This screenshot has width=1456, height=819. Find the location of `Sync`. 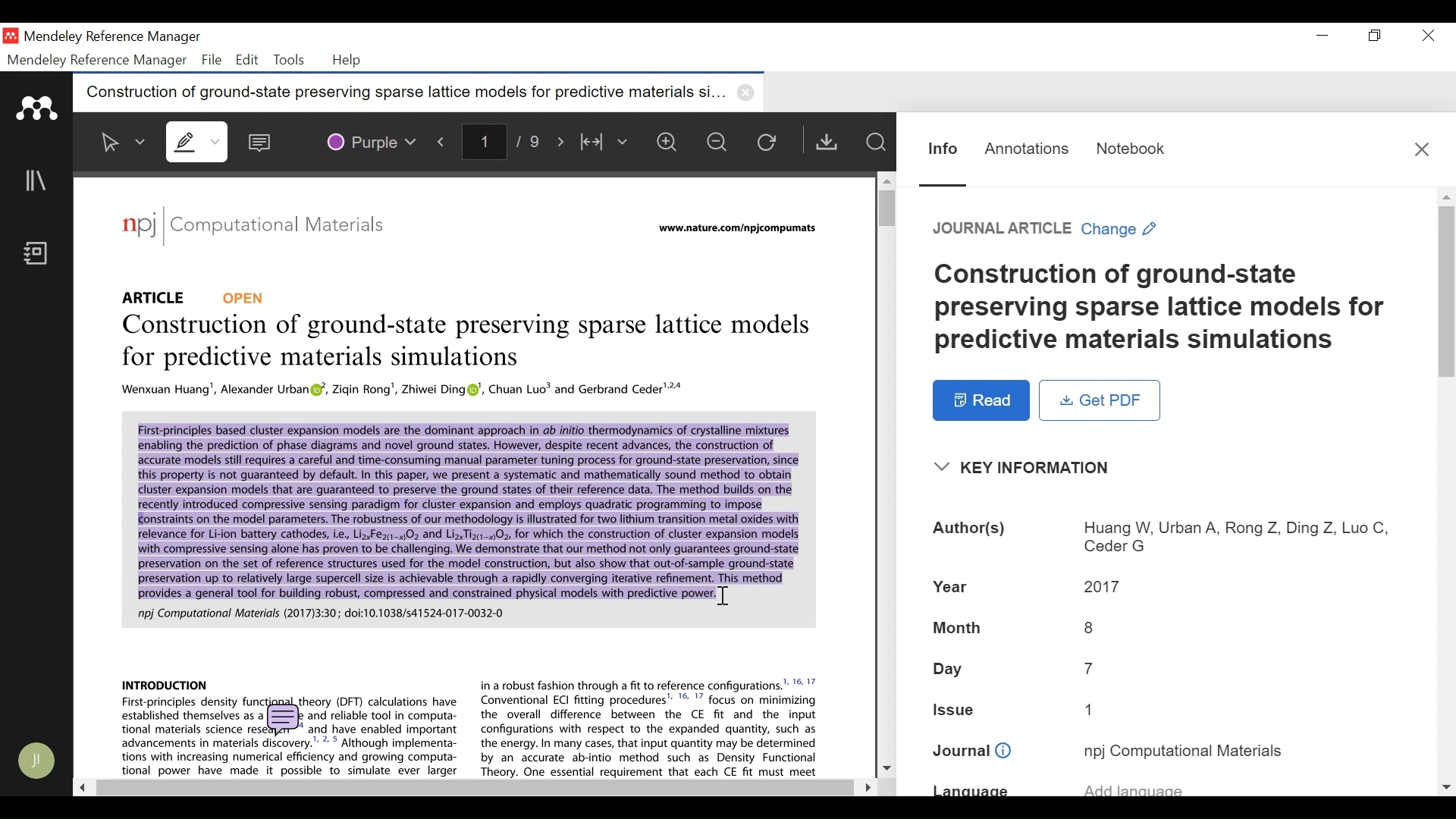

Sync is located at coordinates (38, 688).